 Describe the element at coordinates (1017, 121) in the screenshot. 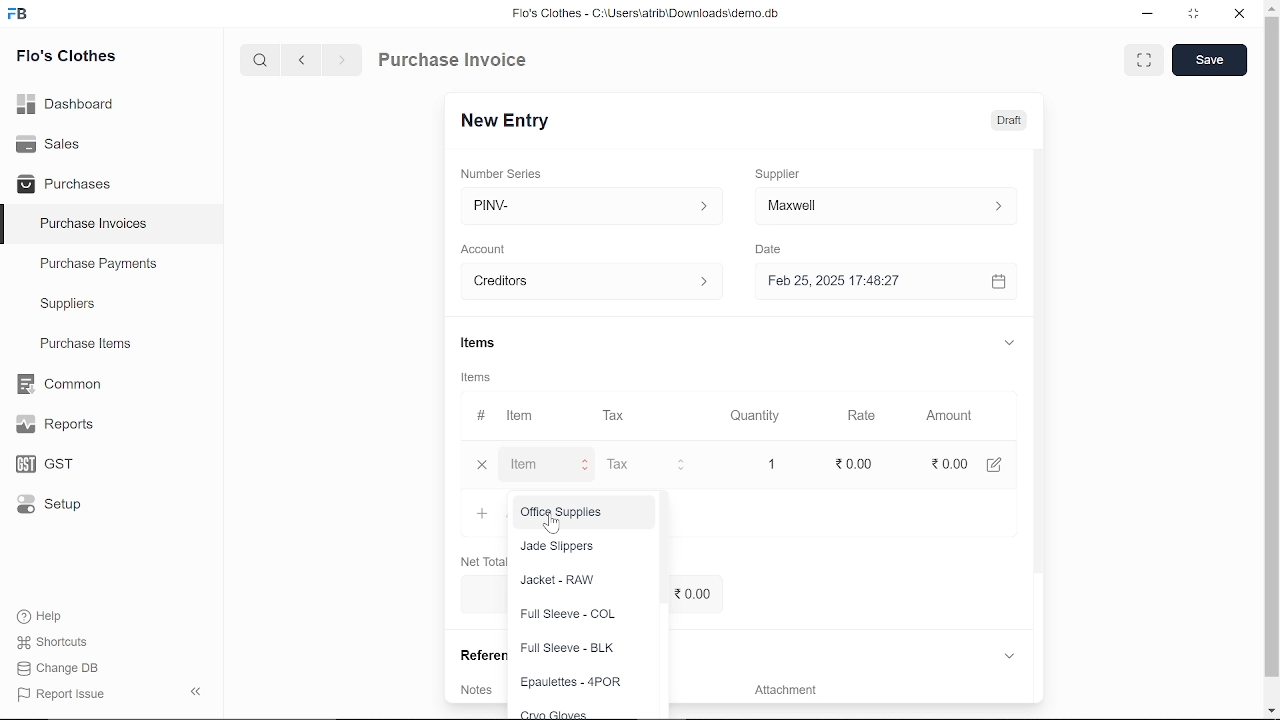

I see `Draft` at that location.